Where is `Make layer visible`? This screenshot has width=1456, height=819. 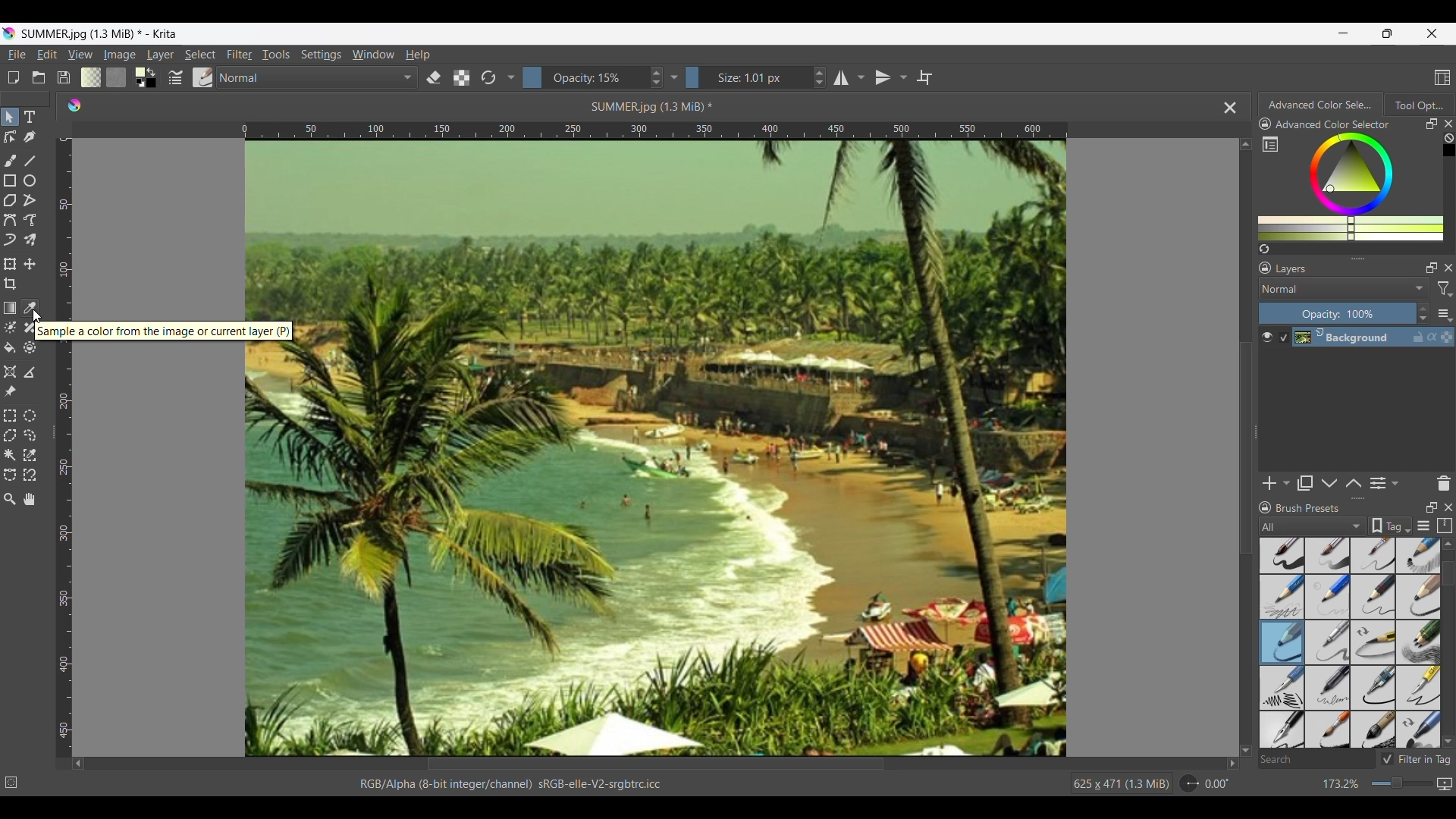 Make layer visible is located at coordinates (1267, 337).